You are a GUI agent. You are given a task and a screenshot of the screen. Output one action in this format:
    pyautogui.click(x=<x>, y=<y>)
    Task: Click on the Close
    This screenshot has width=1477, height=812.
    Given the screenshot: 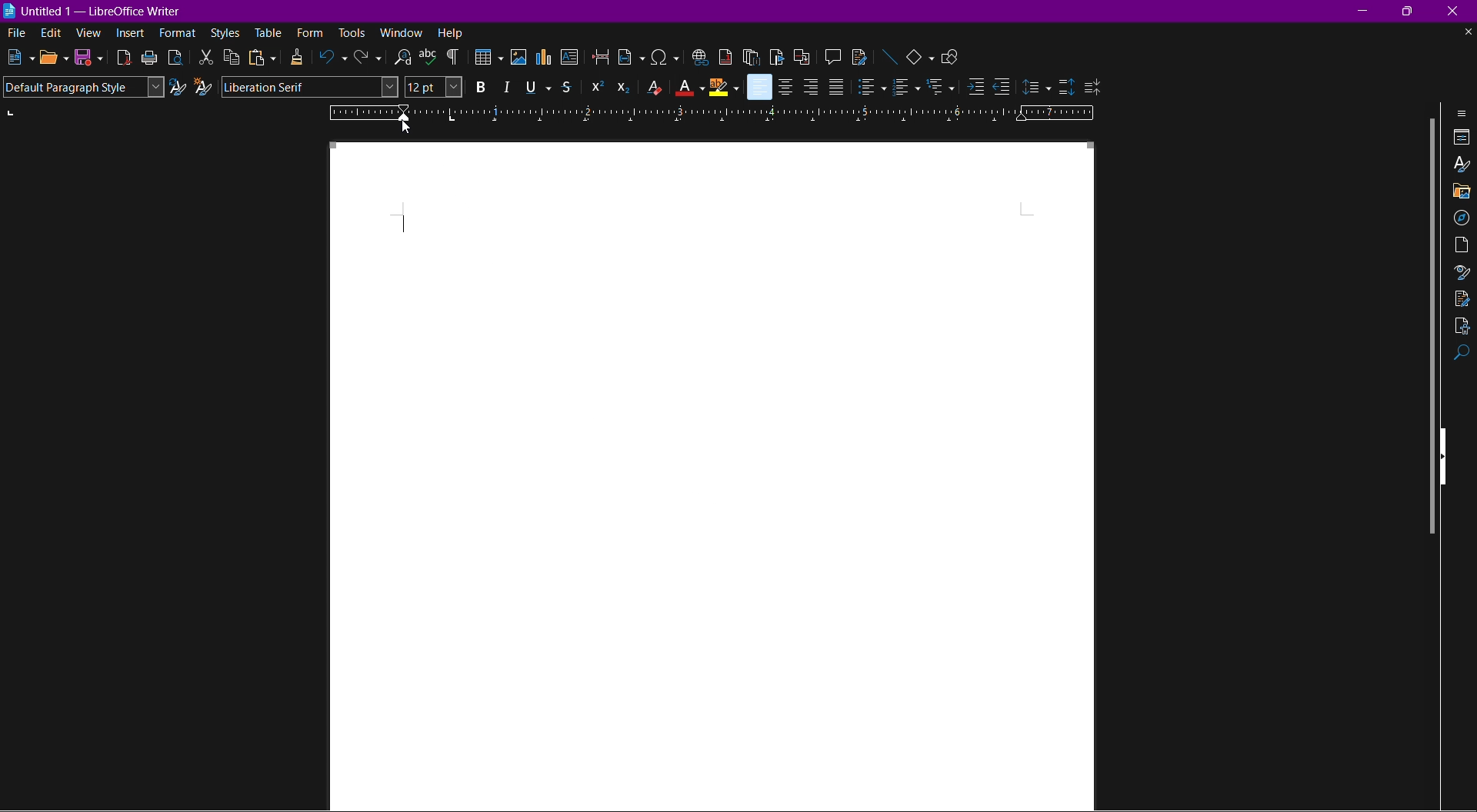 What is the action you would take?
    pyautogui.click(x=1459, y=11)
    